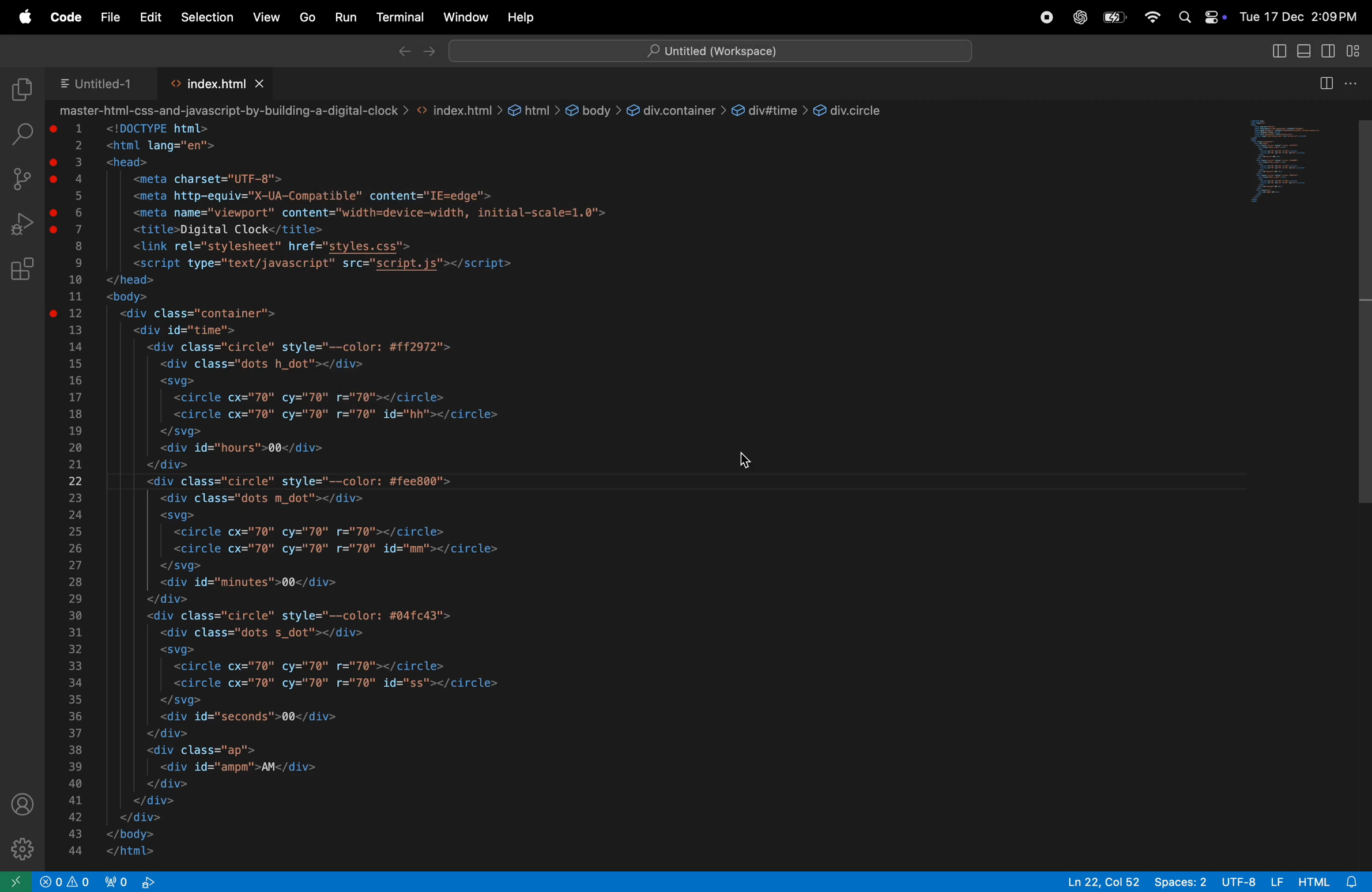  I want to click on html alert, so click(1332, 880).